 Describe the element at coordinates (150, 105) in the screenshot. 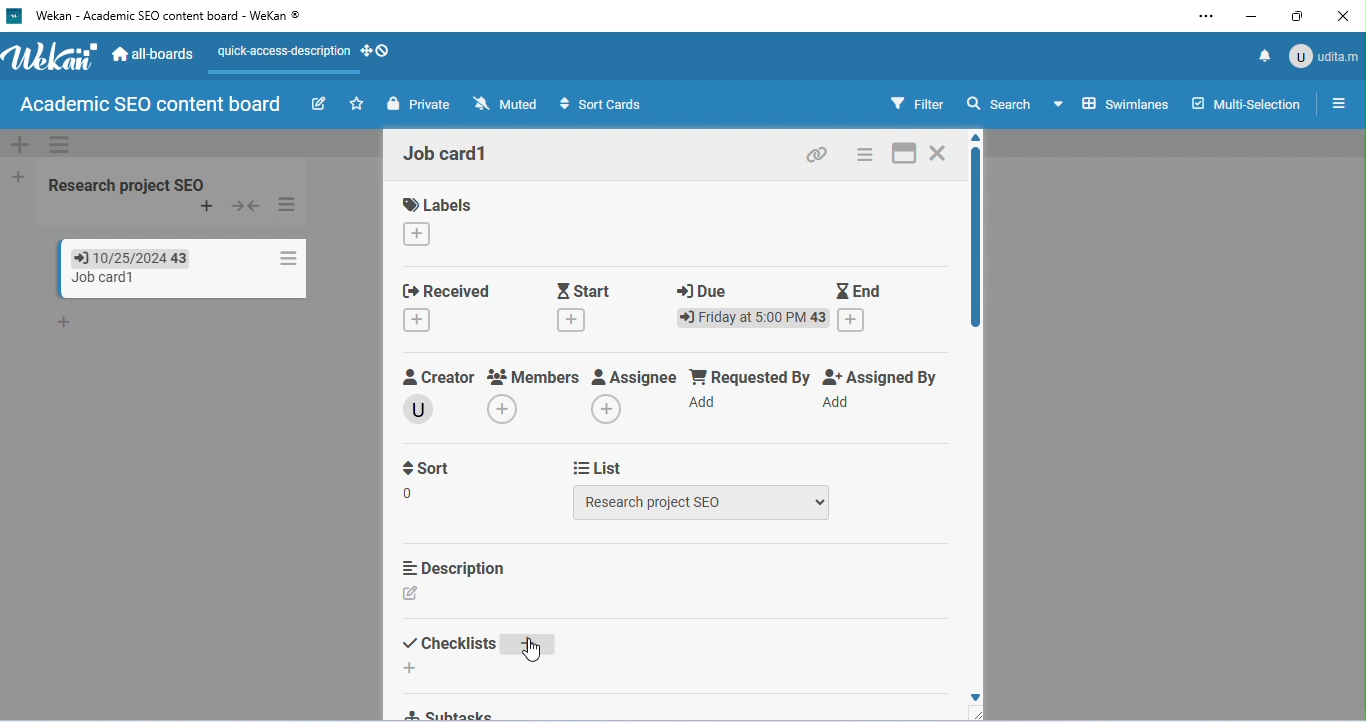

I see `board name: academic SEO content board` at that location.